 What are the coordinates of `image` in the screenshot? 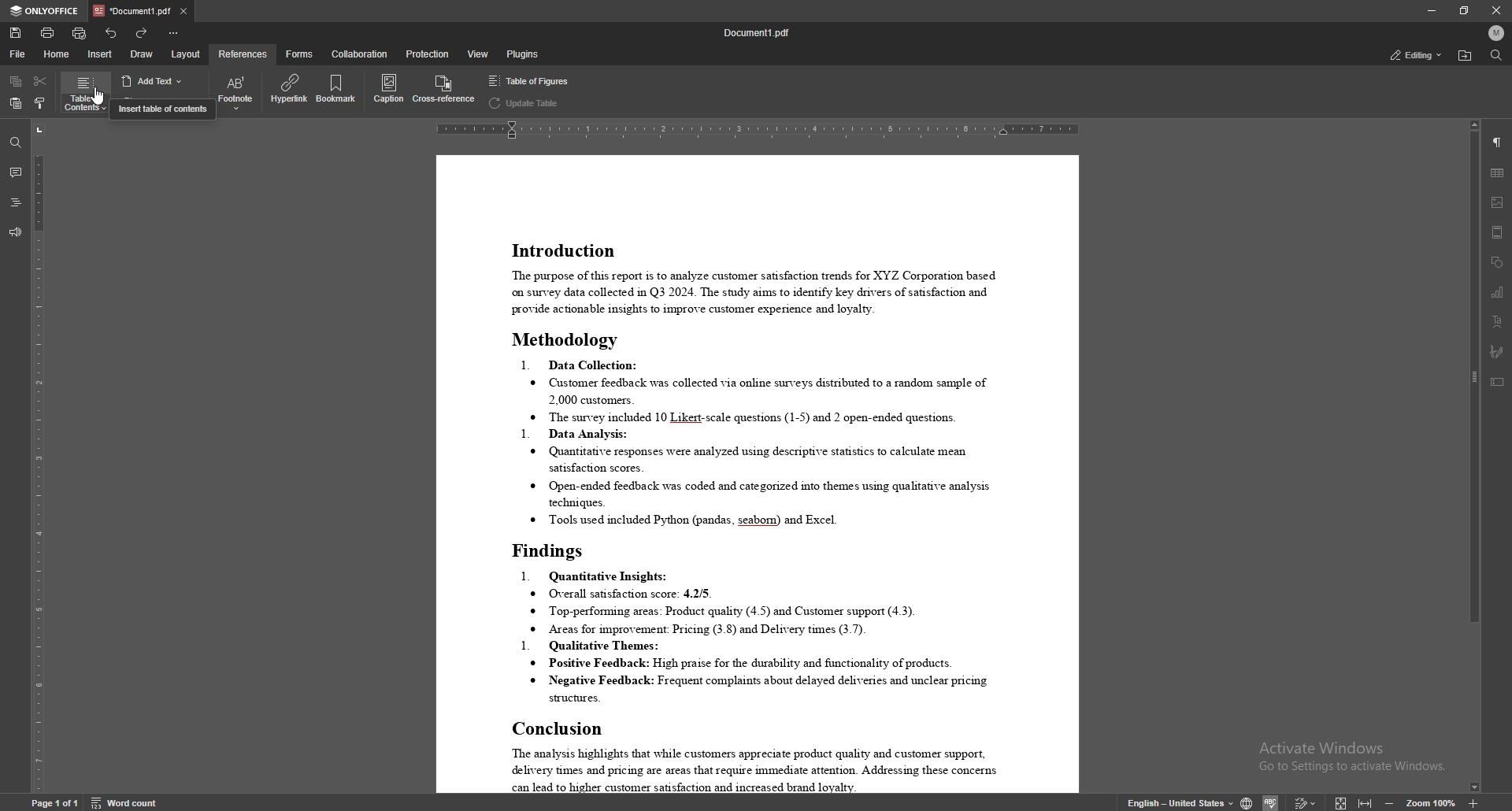 It's located at (1498, 202).